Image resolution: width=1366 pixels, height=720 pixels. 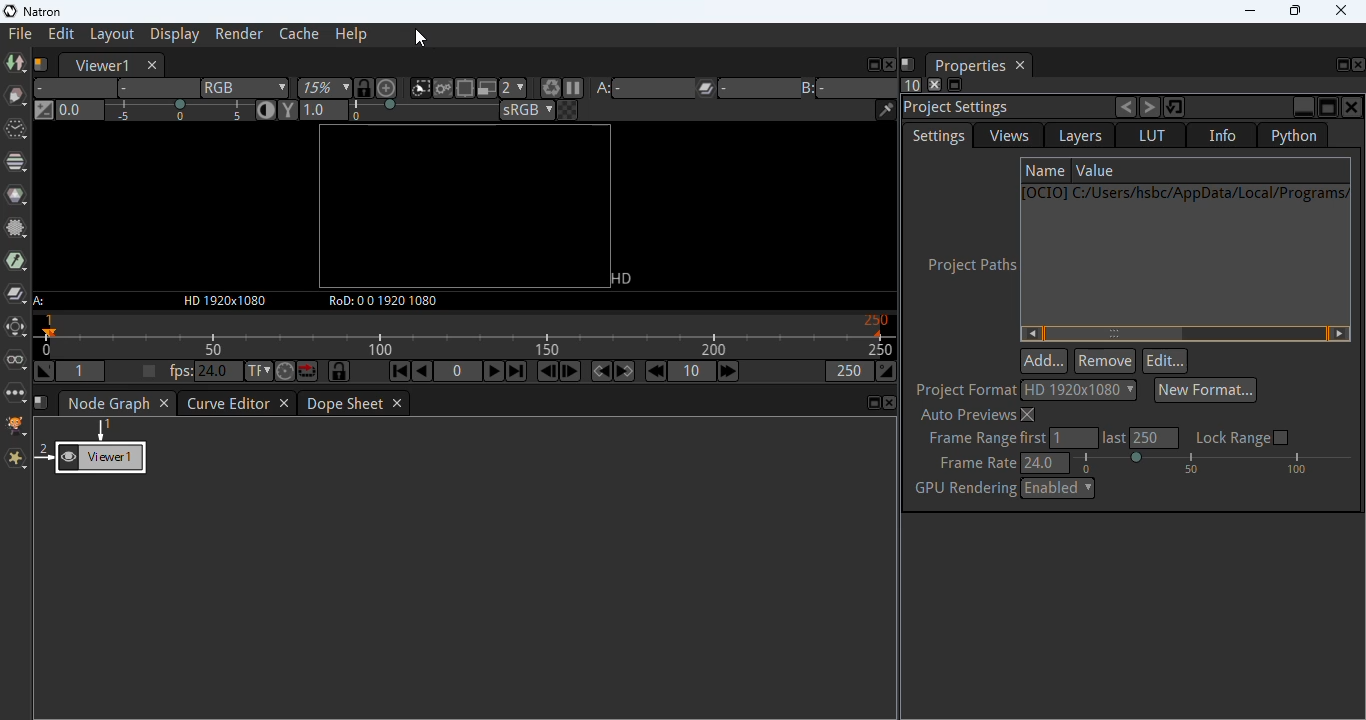 What do you see at coordinates (284, 404) in the screenshot?
I see `close tab` at bounding box center [284, 404].